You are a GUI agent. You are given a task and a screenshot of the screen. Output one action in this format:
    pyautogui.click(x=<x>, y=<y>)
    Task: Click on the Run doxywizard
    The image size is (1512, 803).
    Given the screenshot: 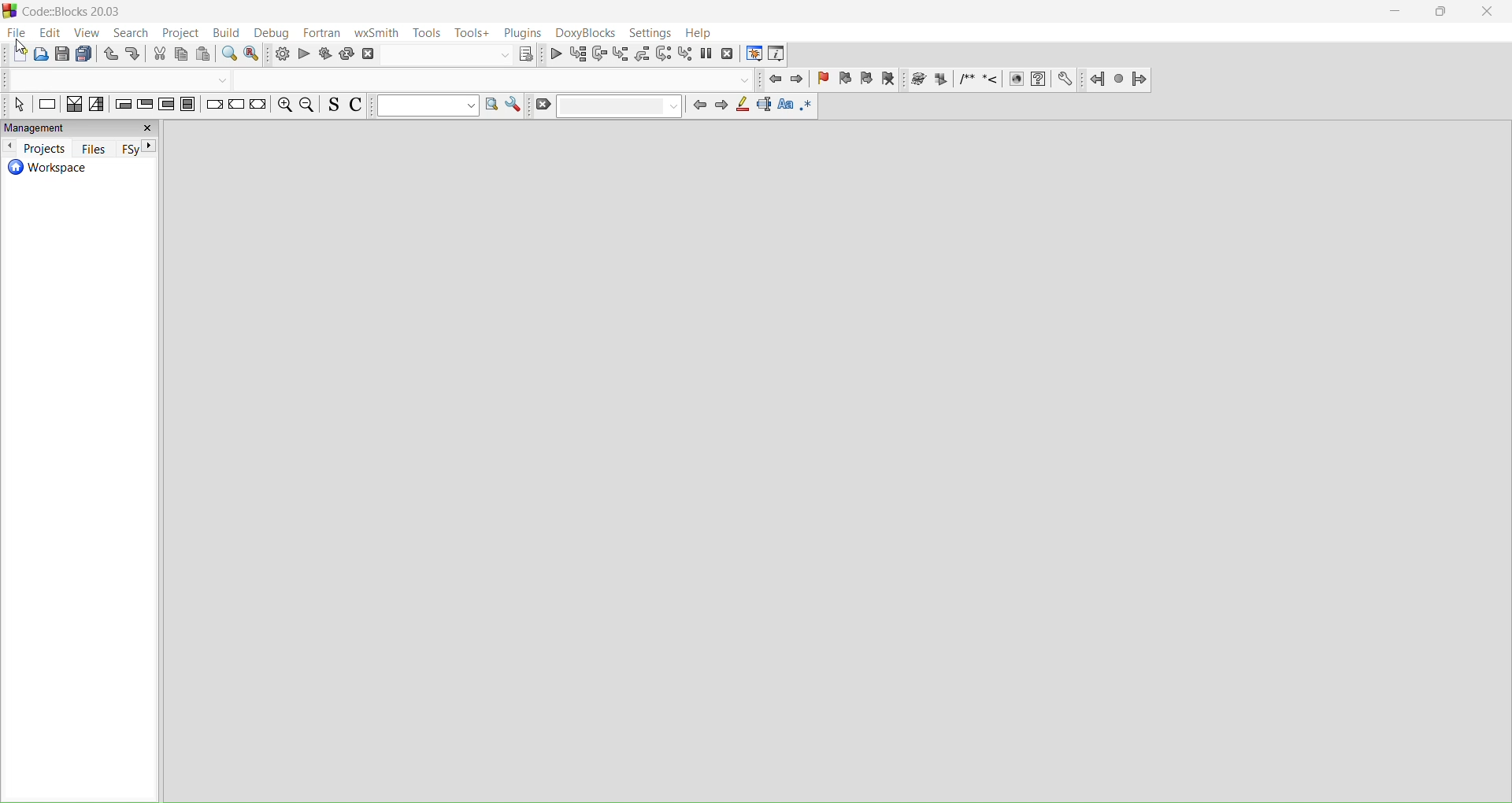 What is the action you would take?
    pyautogui.click(x=917, y=80)
    